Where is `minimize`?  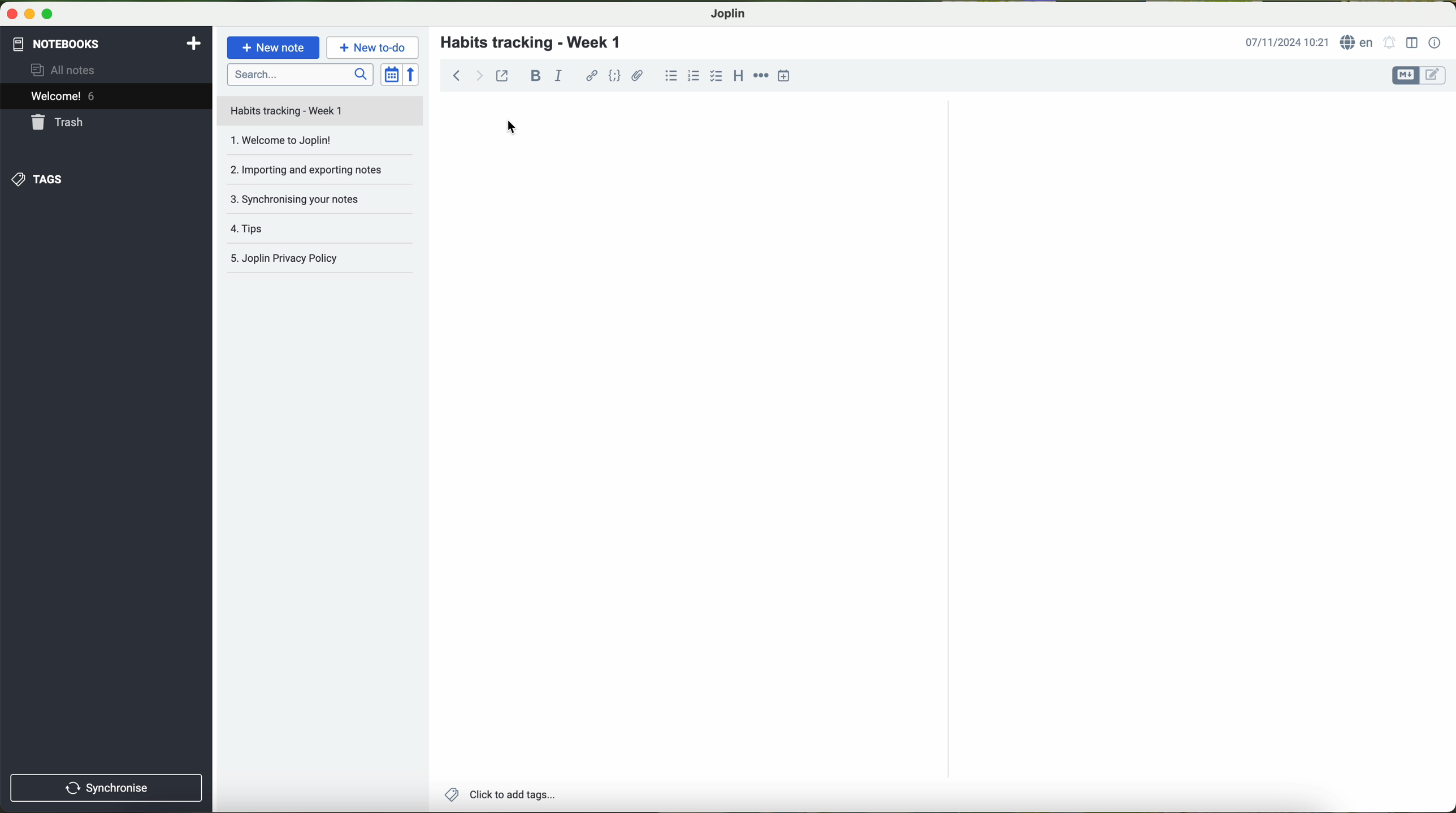
minimize is located at coordinates (27, 13).